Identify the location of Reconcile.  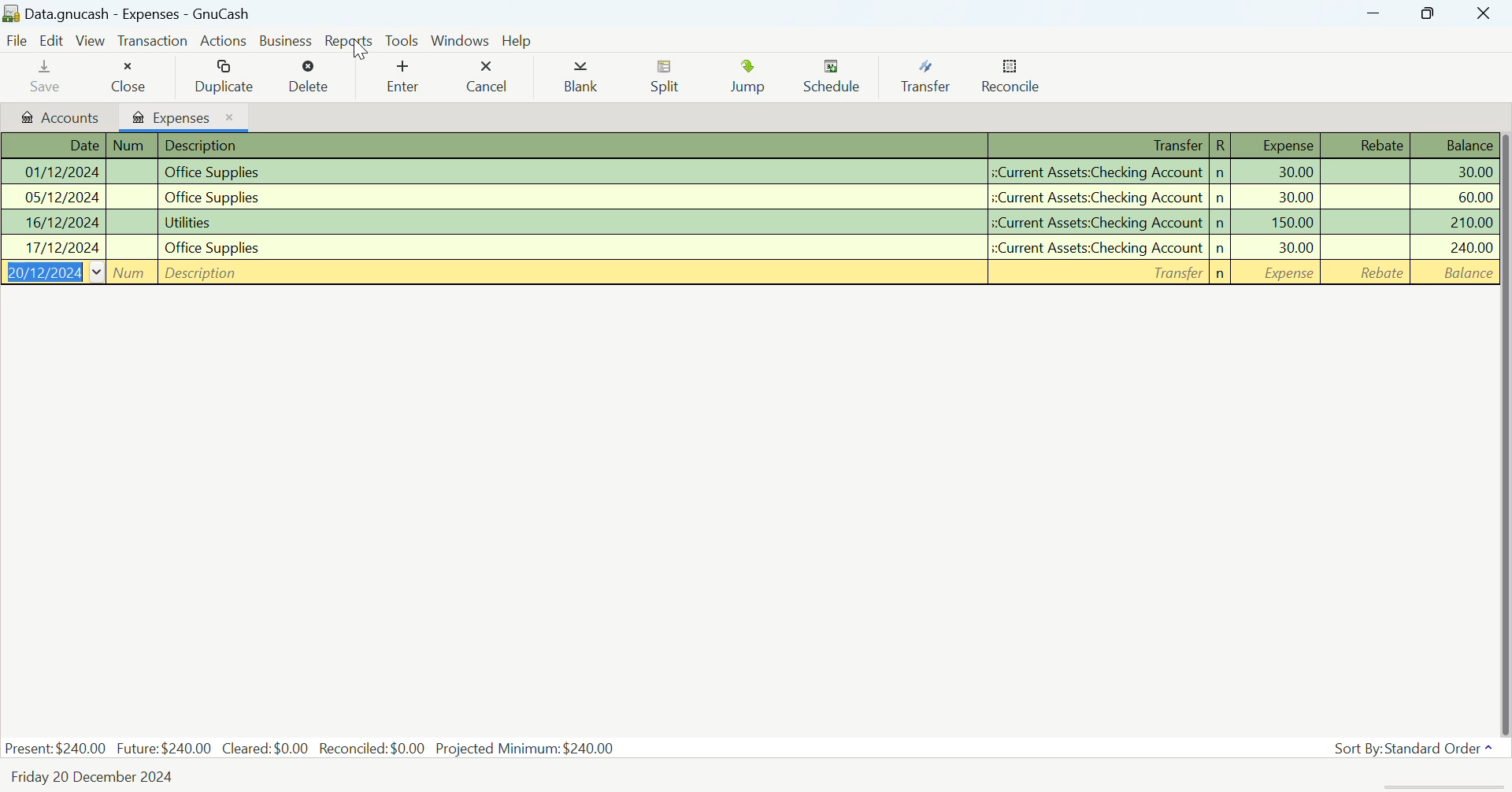
(1013, 80).